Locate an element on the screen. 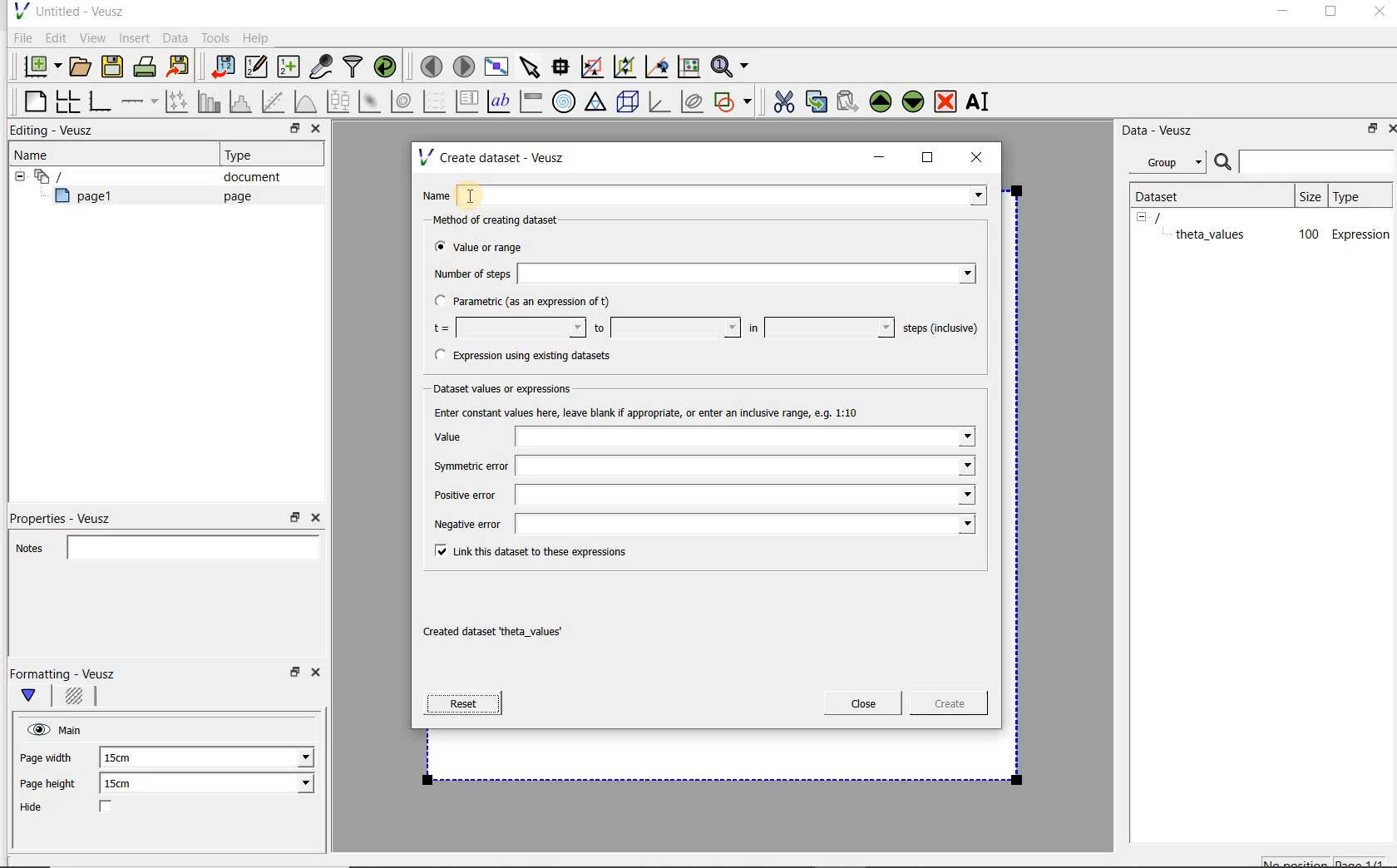 The image size is (1397, 868). text label is located at coordinates (501, 101).